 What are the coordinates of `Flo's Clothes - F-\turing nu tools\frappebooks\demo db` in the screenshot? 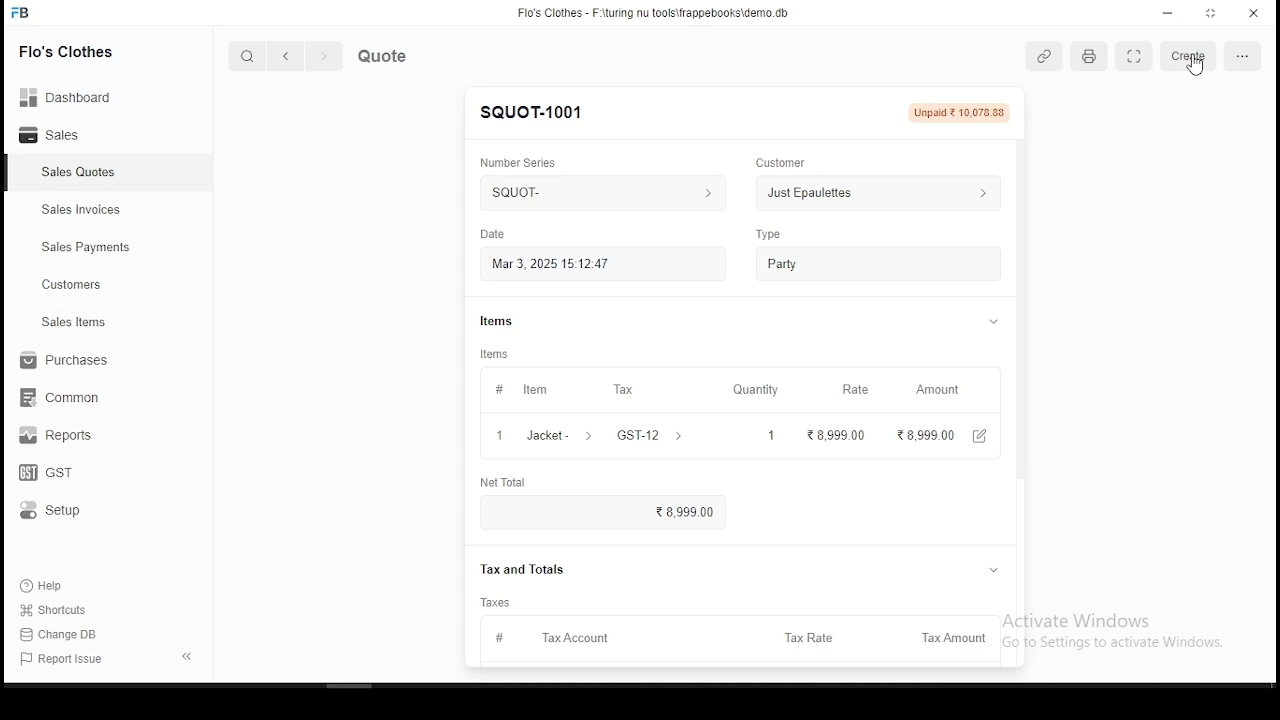 It's located at (655, 12).